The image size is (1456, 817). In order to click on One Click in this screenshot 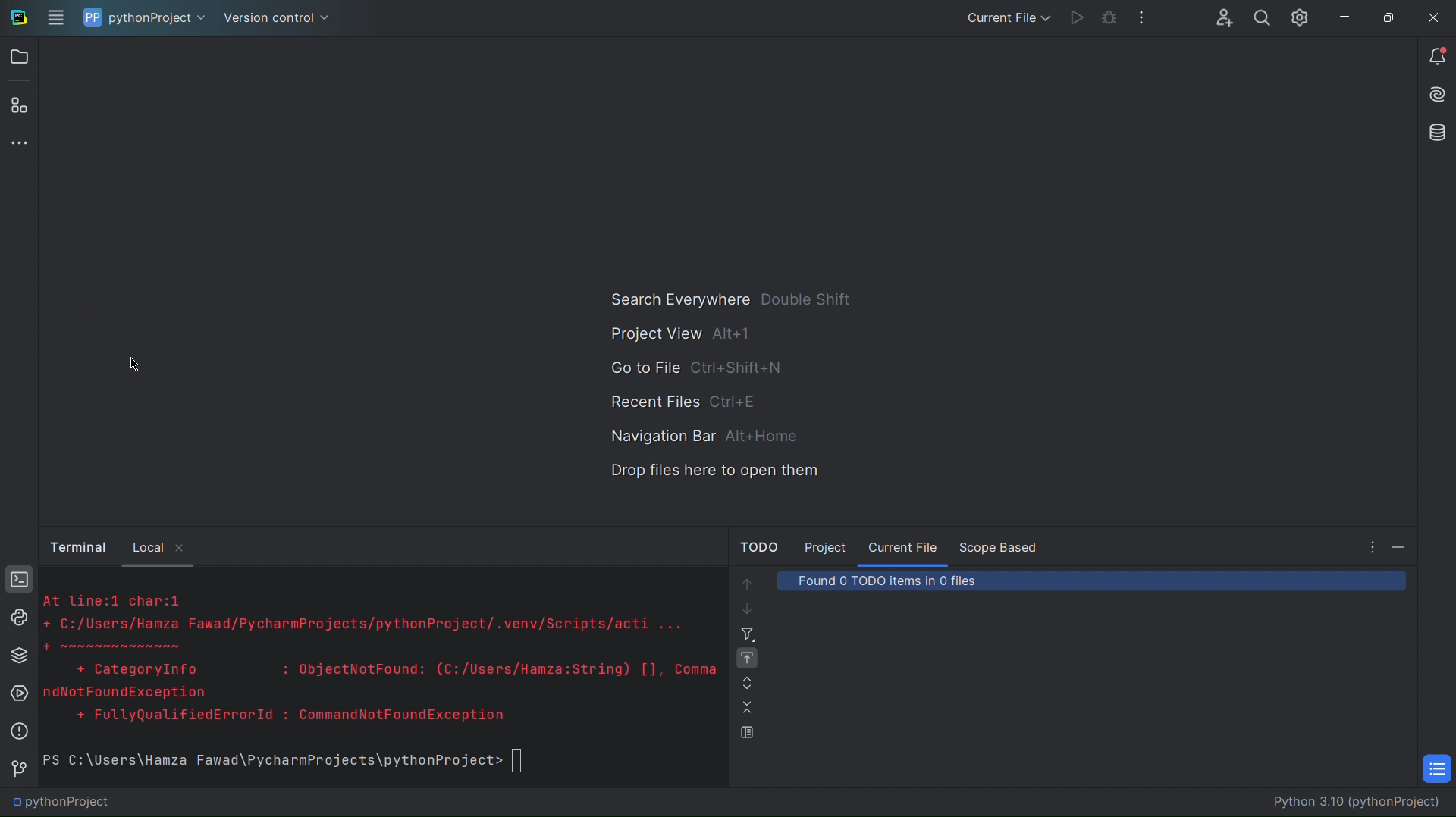, I will do `click(746, 658)`.